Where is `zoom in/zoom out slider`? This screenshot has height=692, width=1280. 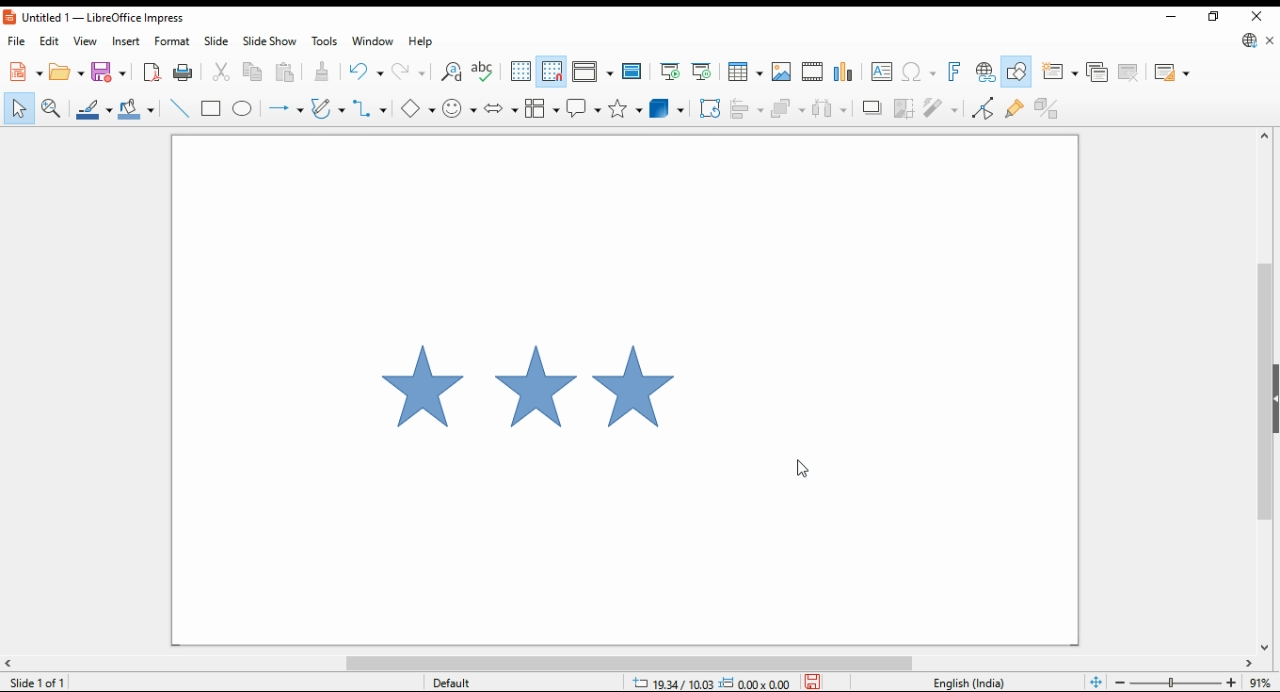 zoom in/zoom out slider is located at coordinates (1176, 681).